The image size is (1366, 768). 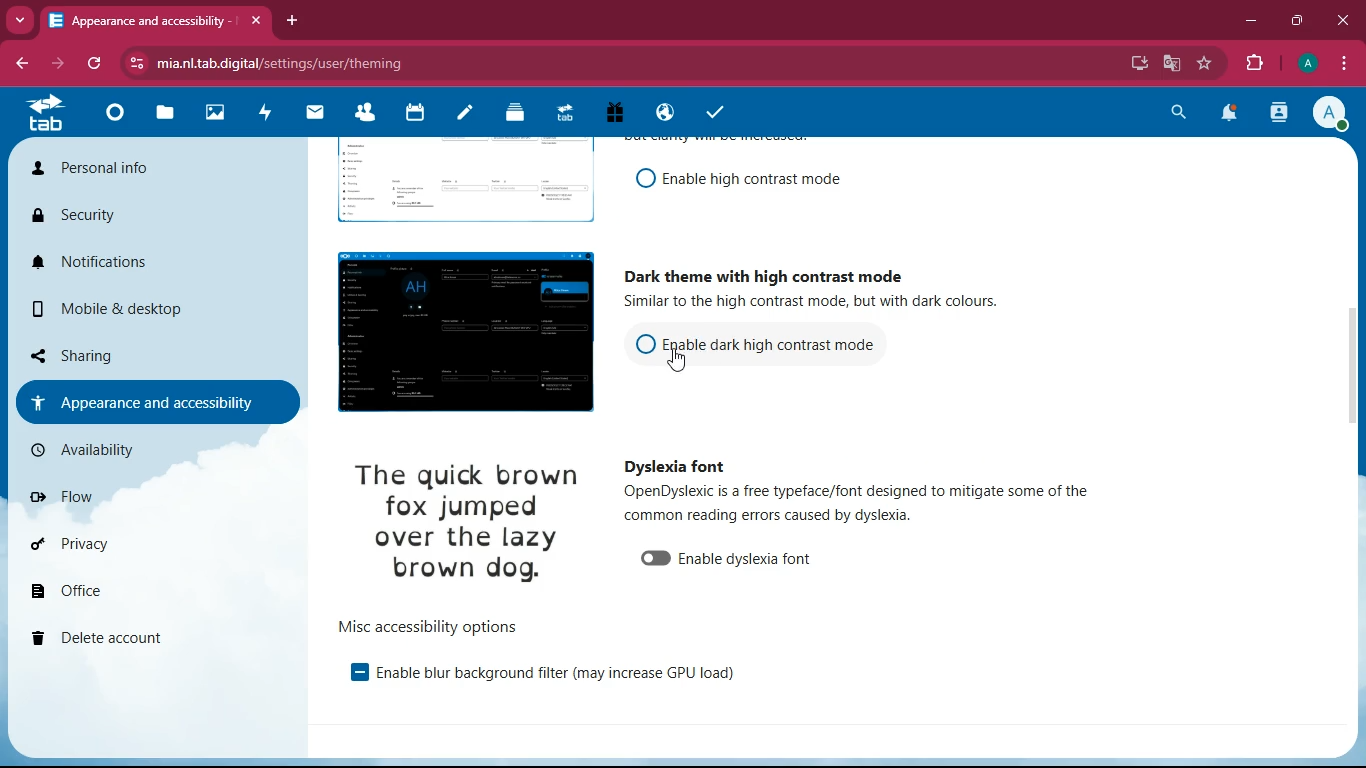 I want to click on mobile, so click(x=130, y=308).